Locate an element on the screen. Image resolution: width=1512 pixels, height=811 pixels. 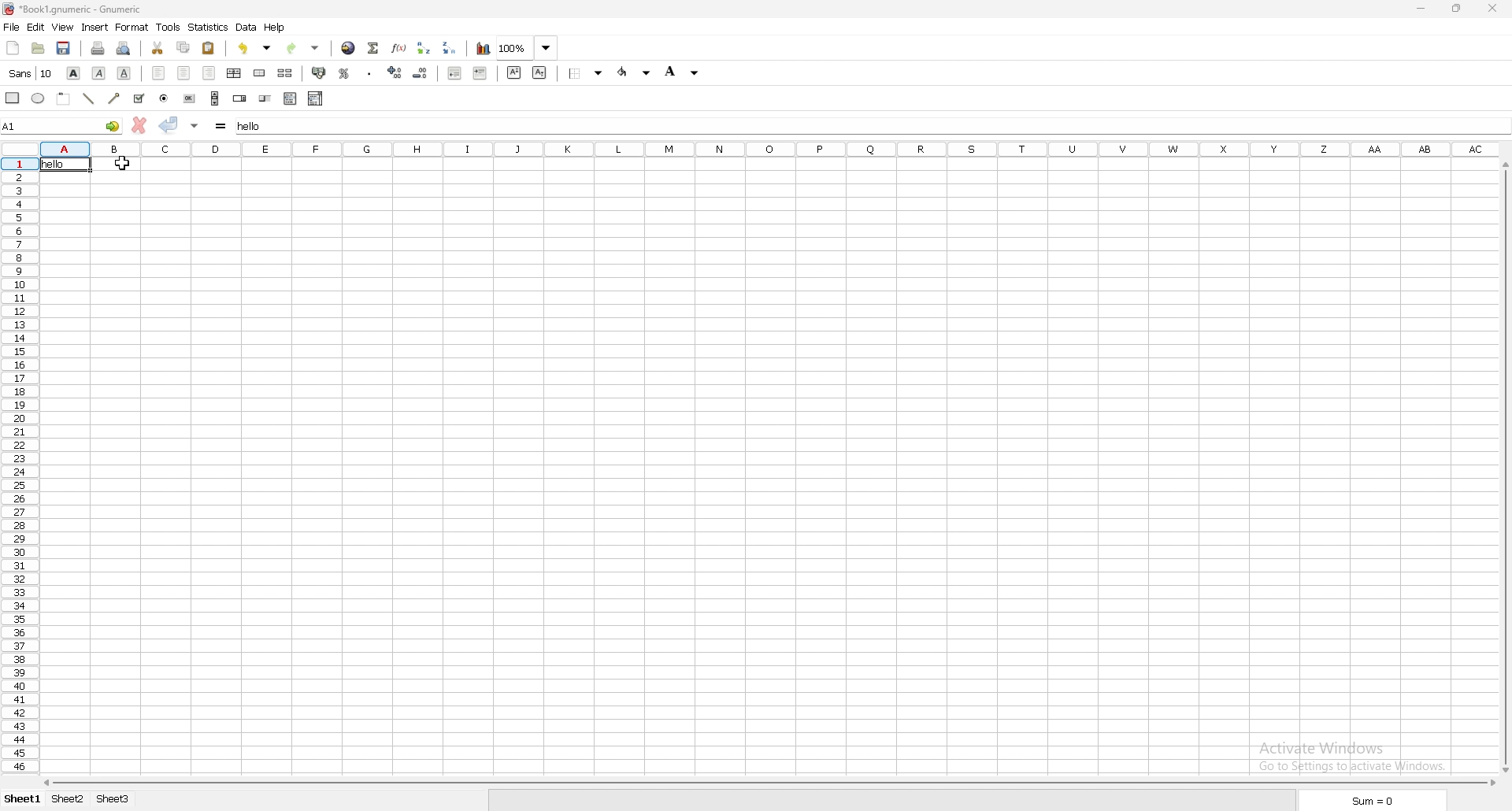
gnumeric is located at coordinates (72, 9).